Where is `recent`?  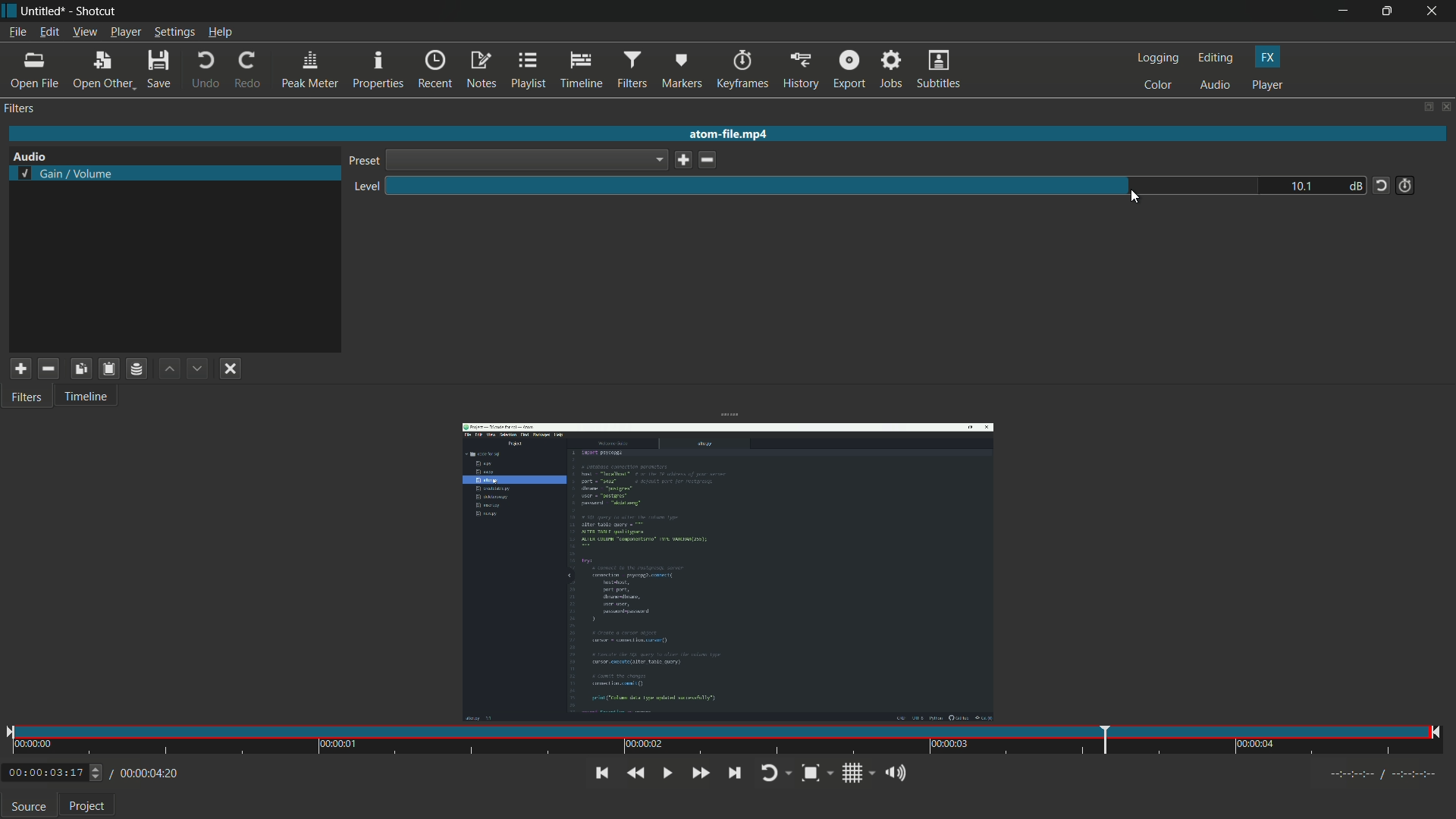
recent is located at coordinates (435, 71).